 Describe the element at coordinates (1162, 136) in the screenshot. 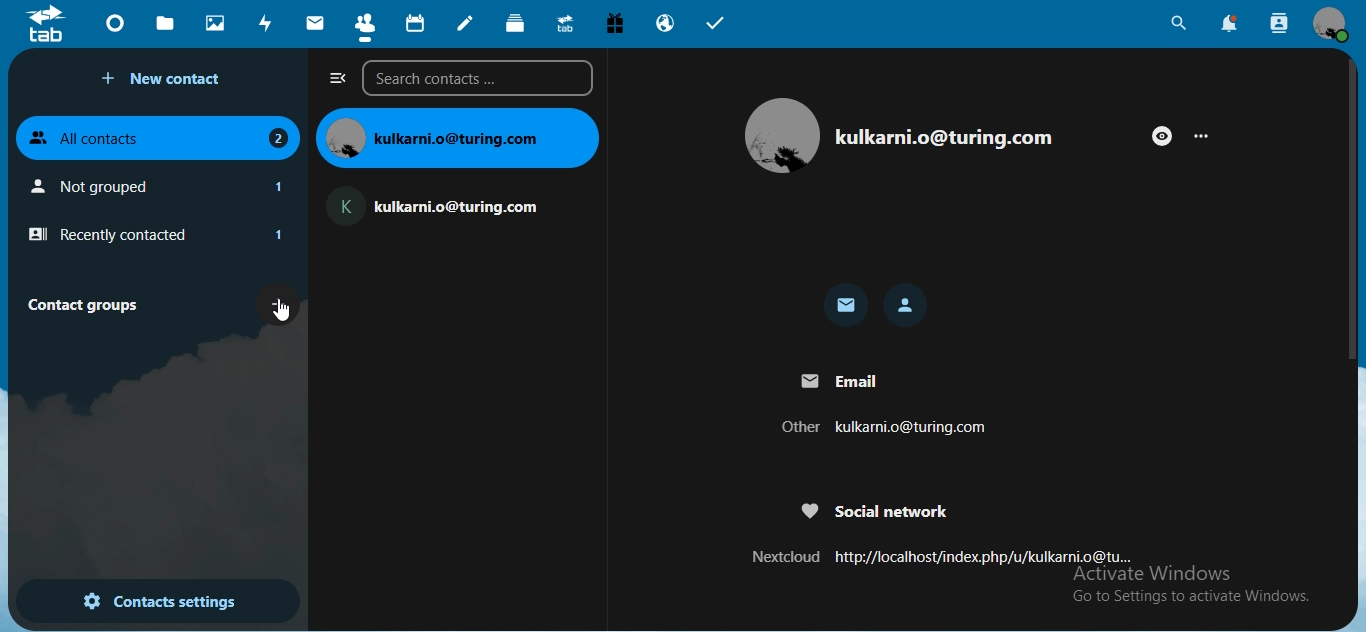

I see `hide` at that location.